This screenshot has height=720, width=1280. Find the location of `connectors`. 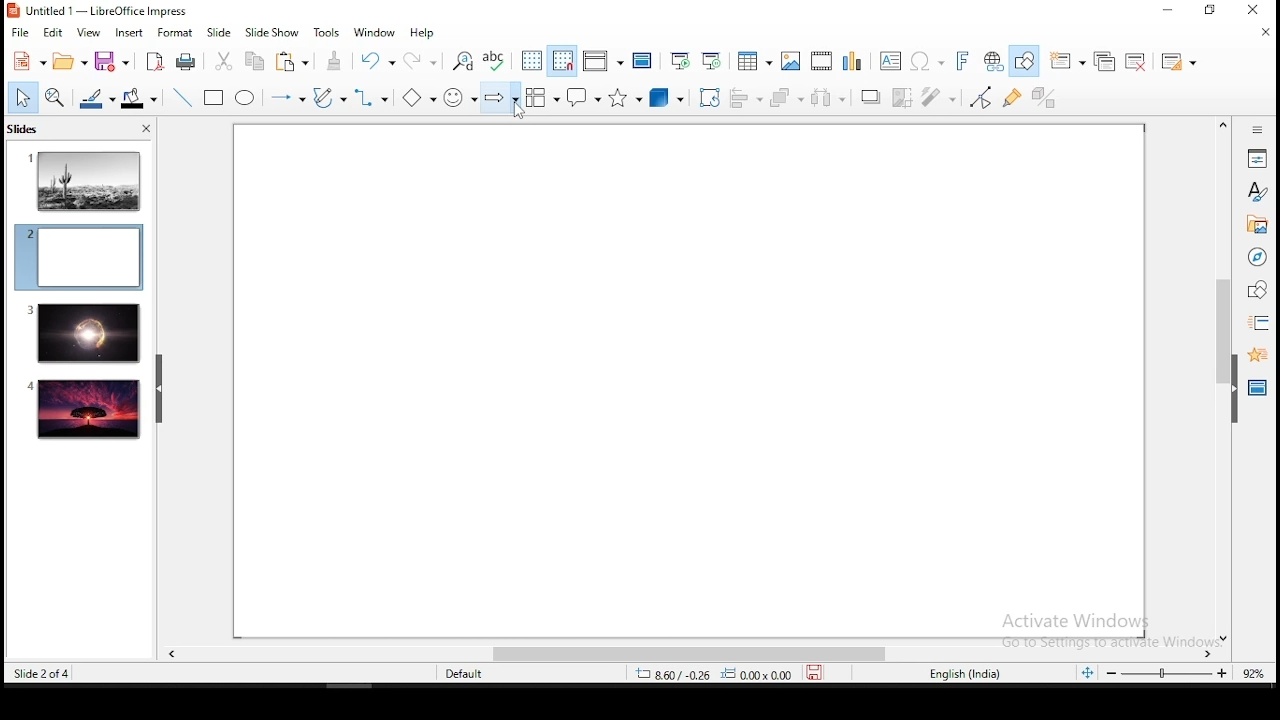

connectors is located at coordinates (370, 98).